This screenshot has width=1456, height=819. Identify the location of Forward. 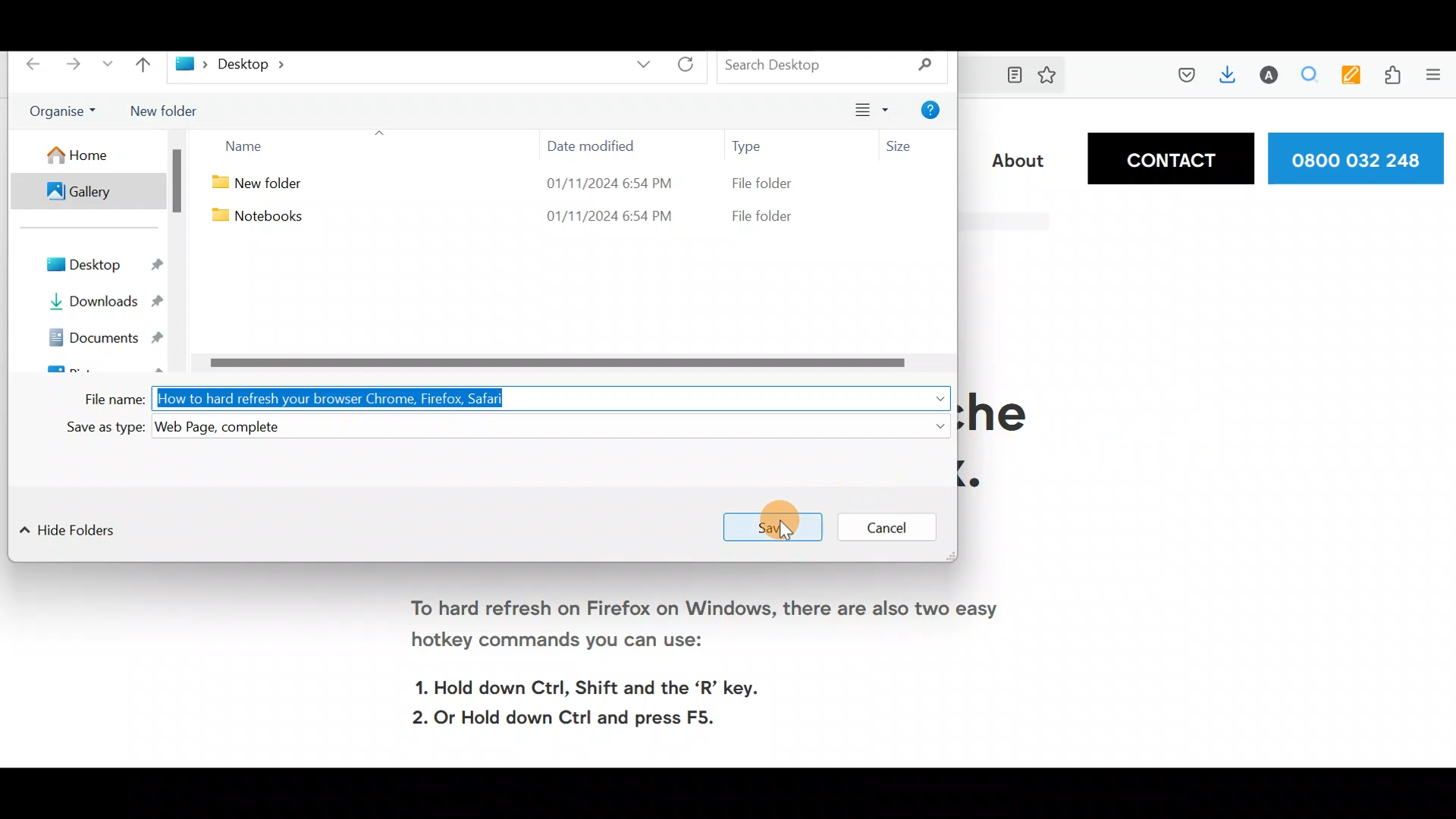
(74, 65).